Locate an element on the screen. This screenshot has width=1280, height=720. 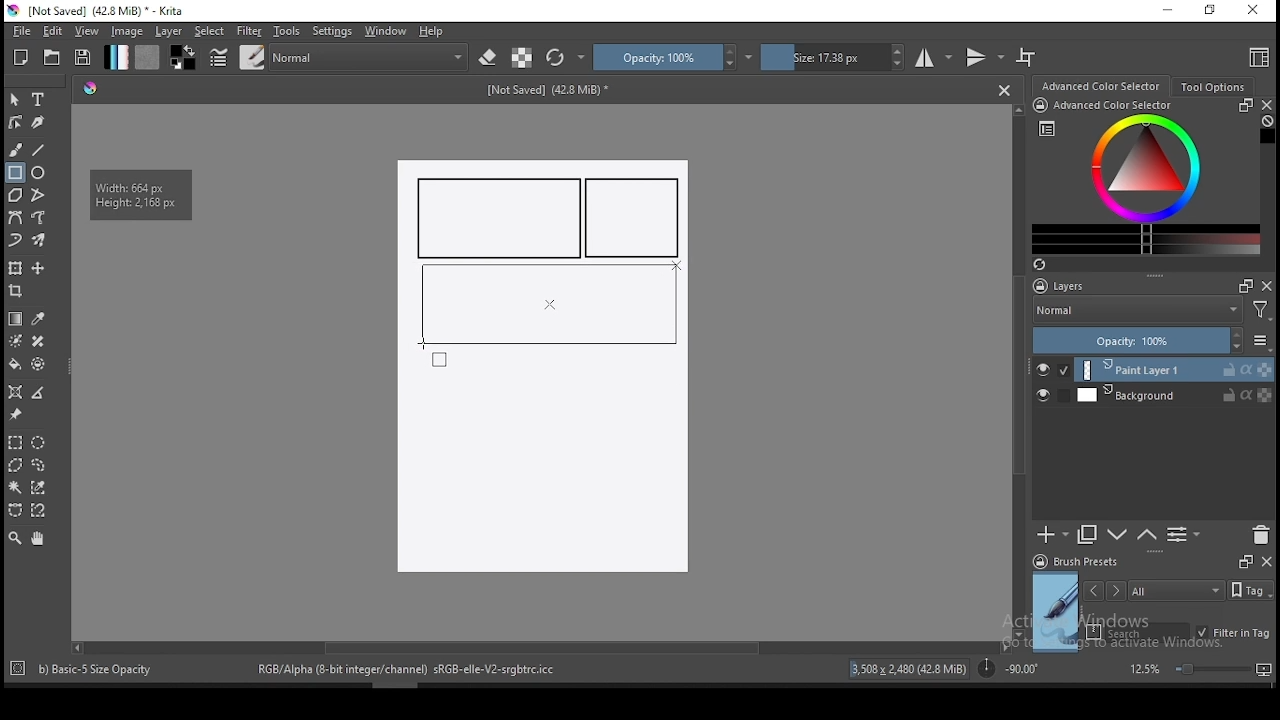
Refresh is located at coordinates (1047, 266).